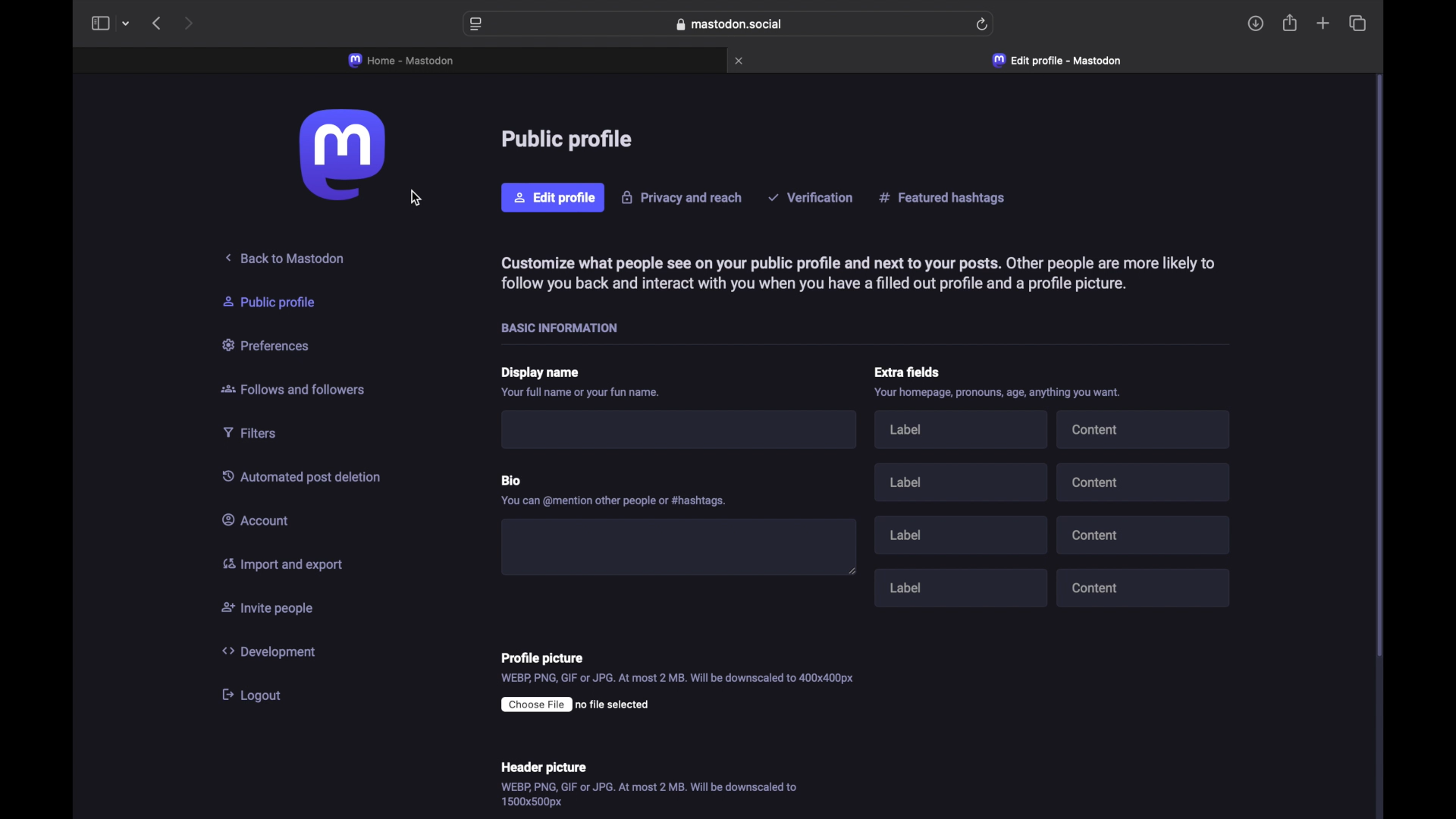 Image resolution: width=1456 pixels, height=819 pixels. Describe the element at coordinates (282, 563) in the screenshot. I see `import and export` at that location.